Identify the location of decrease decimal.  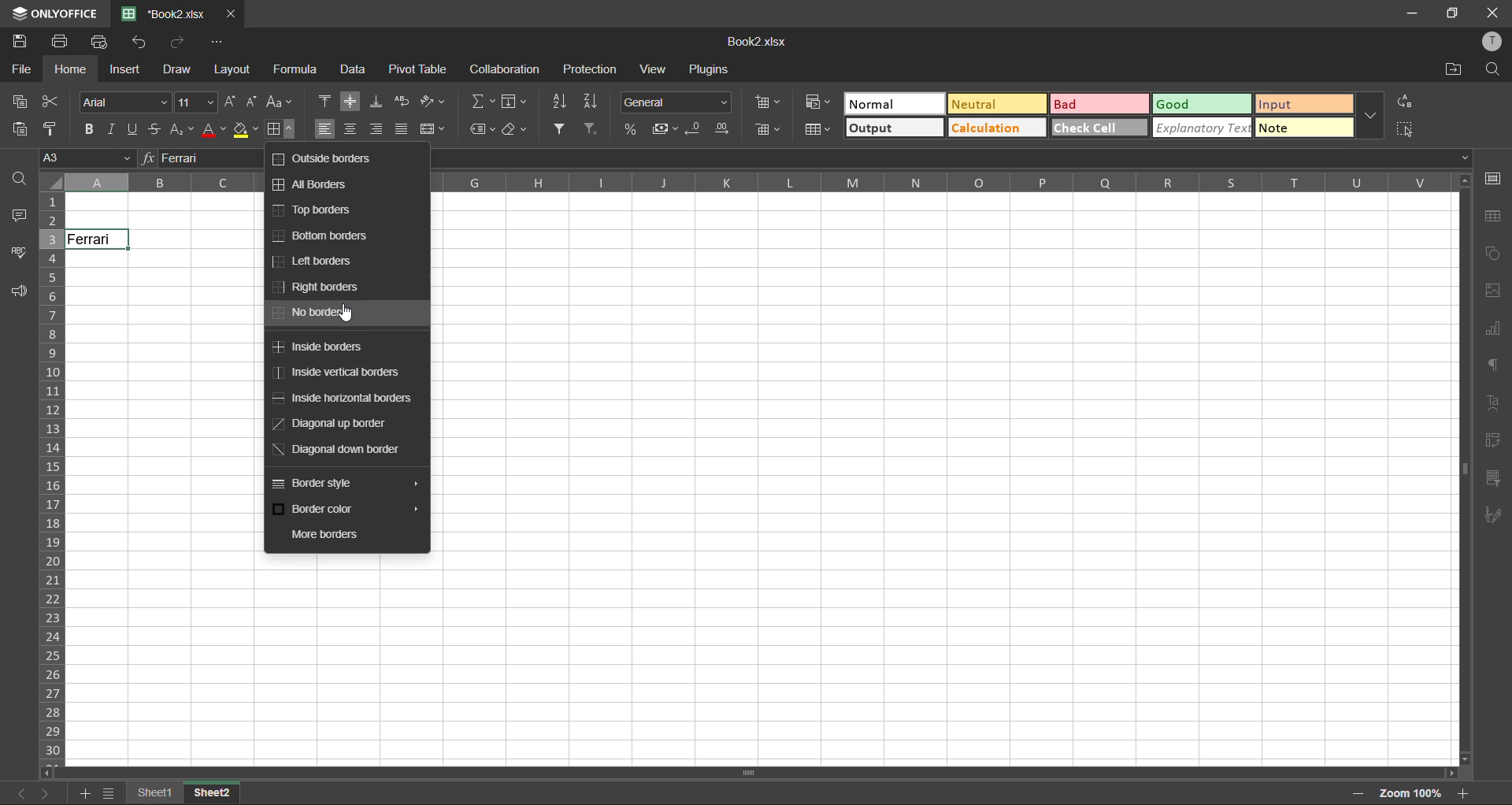
(695, 129).